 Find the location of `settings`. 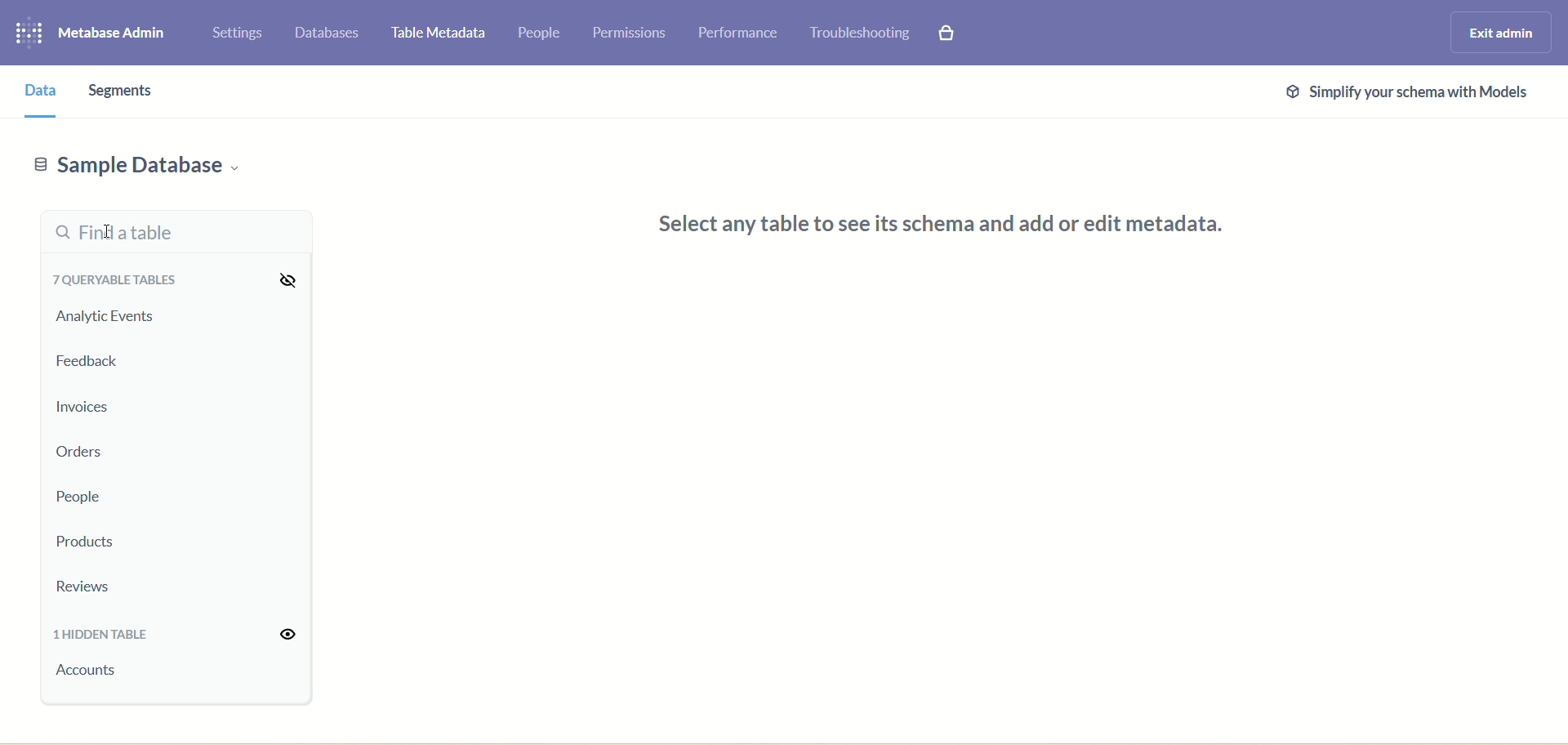

settings is located at coordinates (238, 33).